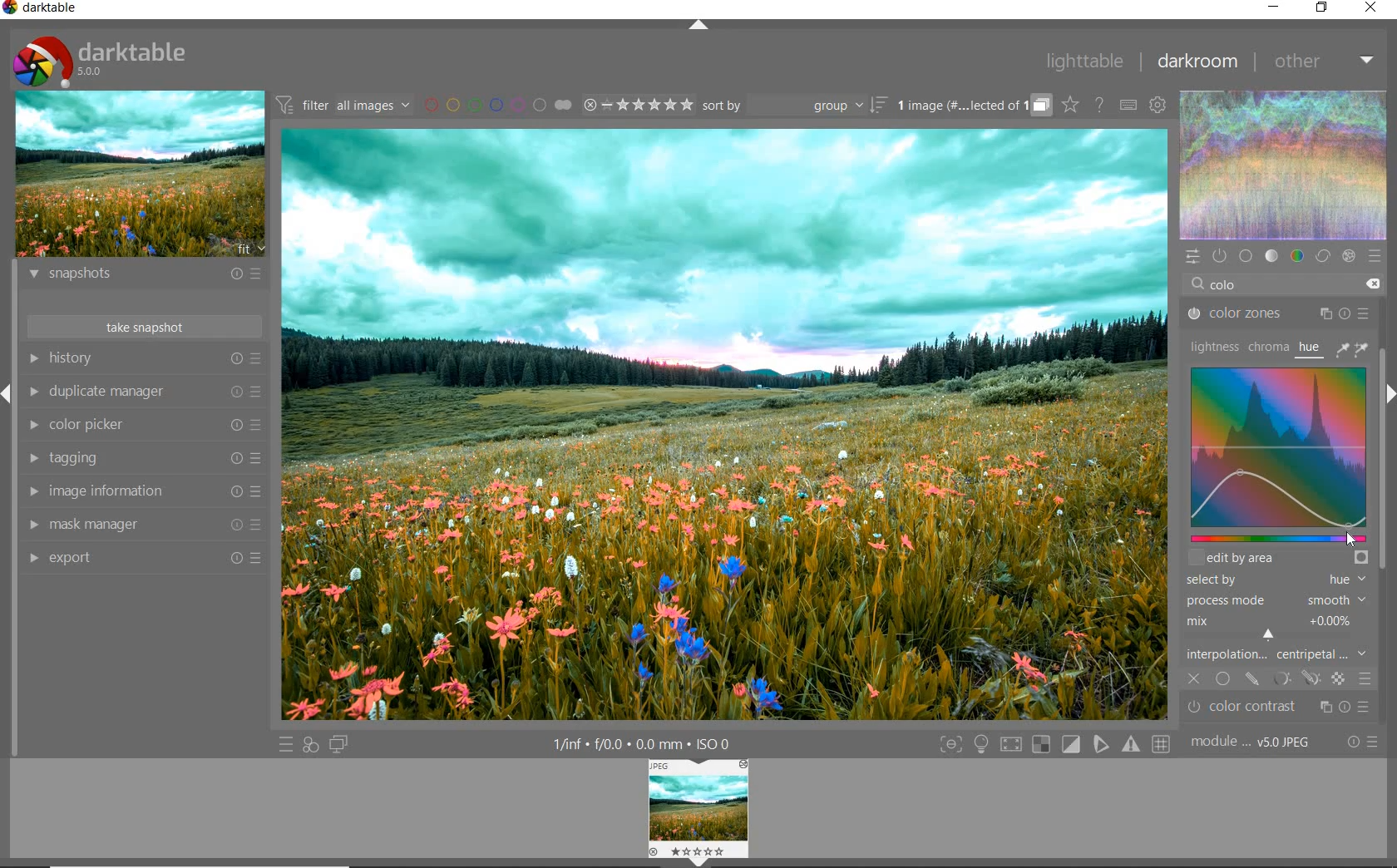  Describe the element at coordinates (1296, 256) in the screenshot. I see `color` at that location.